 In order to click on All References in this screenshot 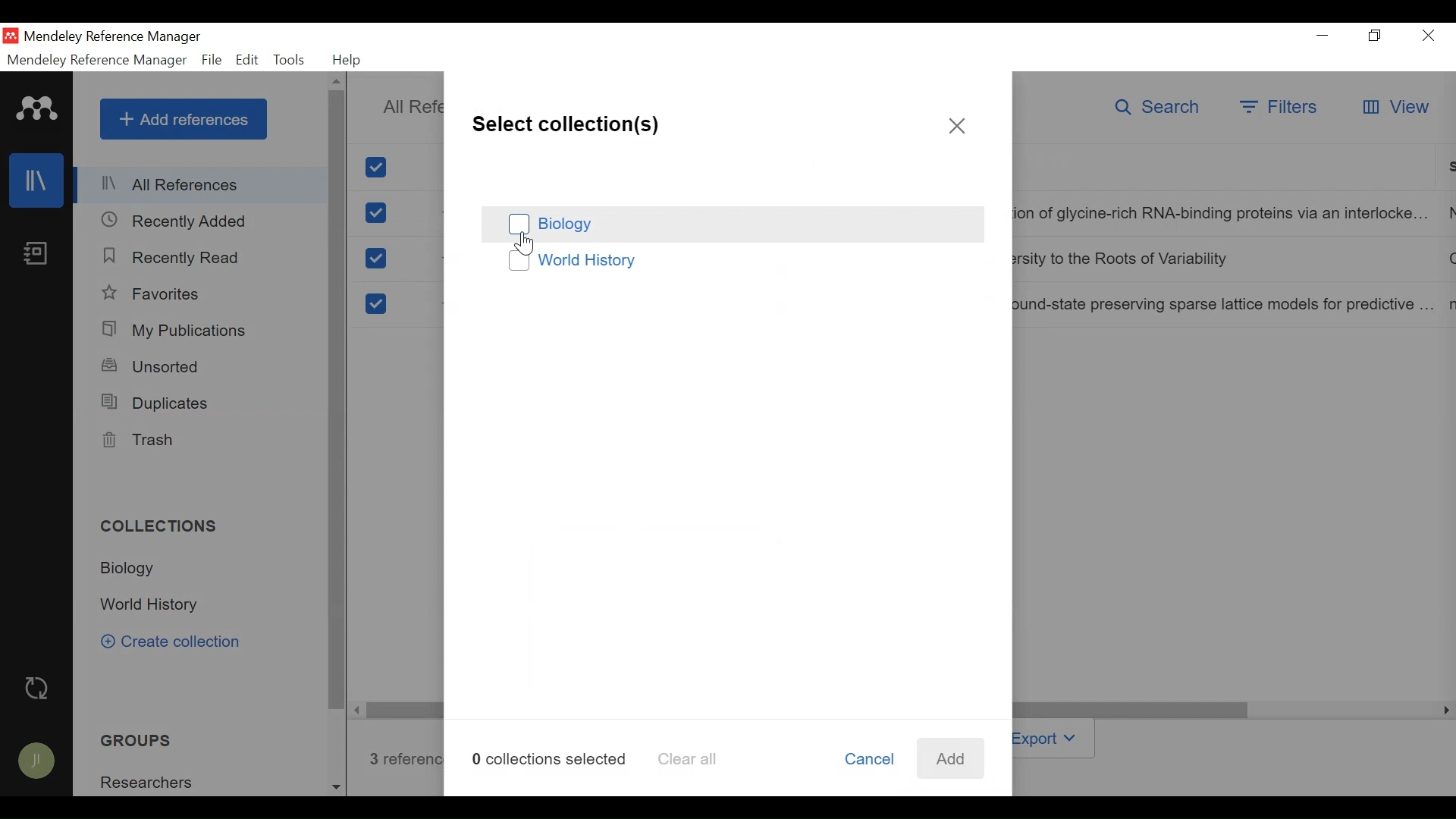, I will do `click(202, 187)`.